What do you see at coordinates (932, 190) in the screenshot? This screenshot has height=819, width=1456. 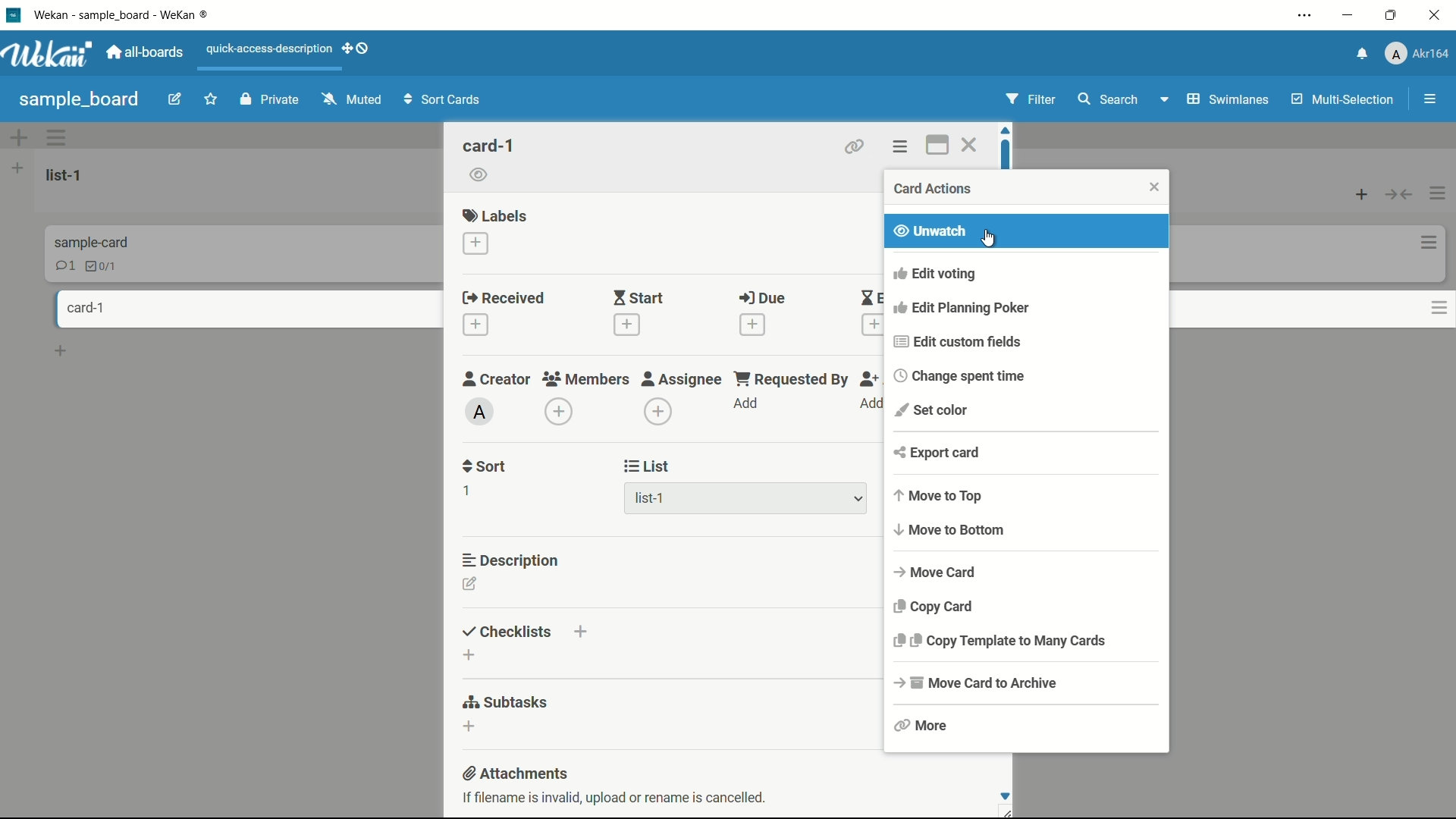 I see `card actions` at bounding box center [932, 190].